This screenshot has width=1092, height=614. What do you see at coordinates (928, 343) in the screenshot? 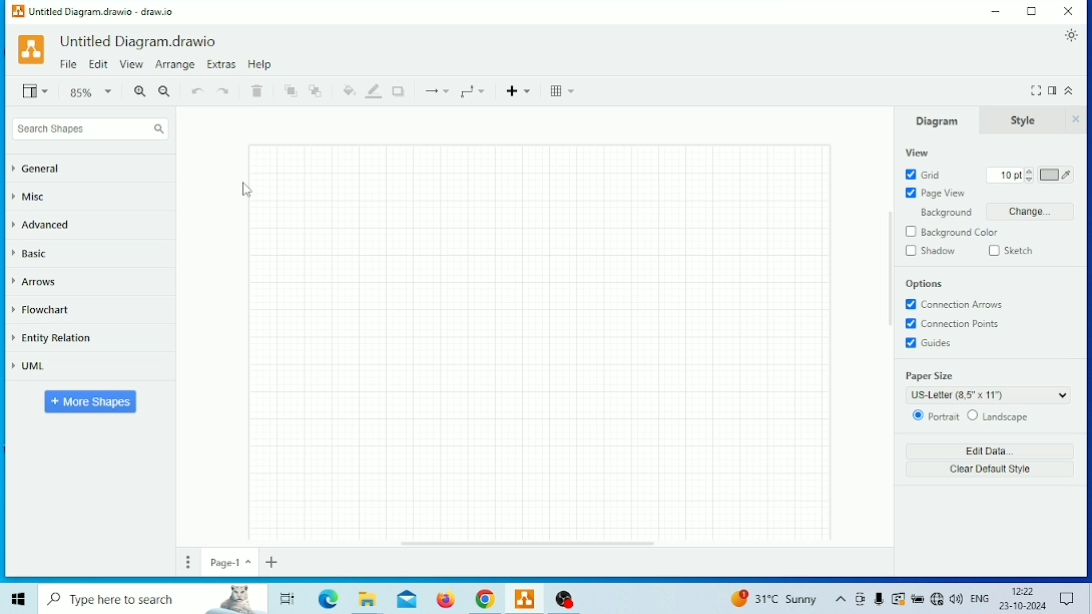
I see `Guides` at bounding box center [928, 343].